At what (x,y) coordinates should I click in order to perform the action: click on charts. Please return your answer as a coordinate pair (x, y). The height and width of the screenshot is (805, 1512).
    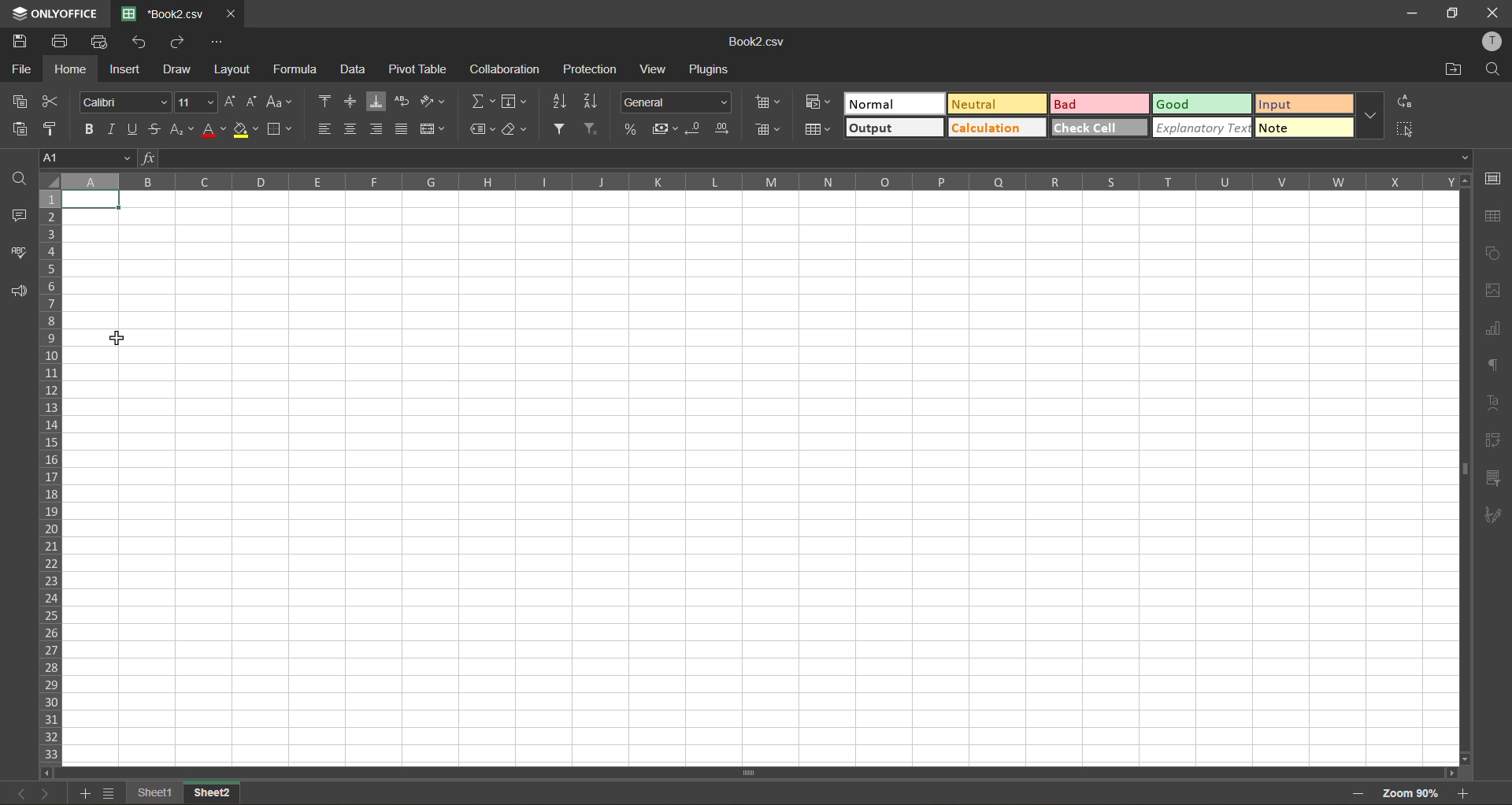
    Looking at the image, I should click on (1494, 329).